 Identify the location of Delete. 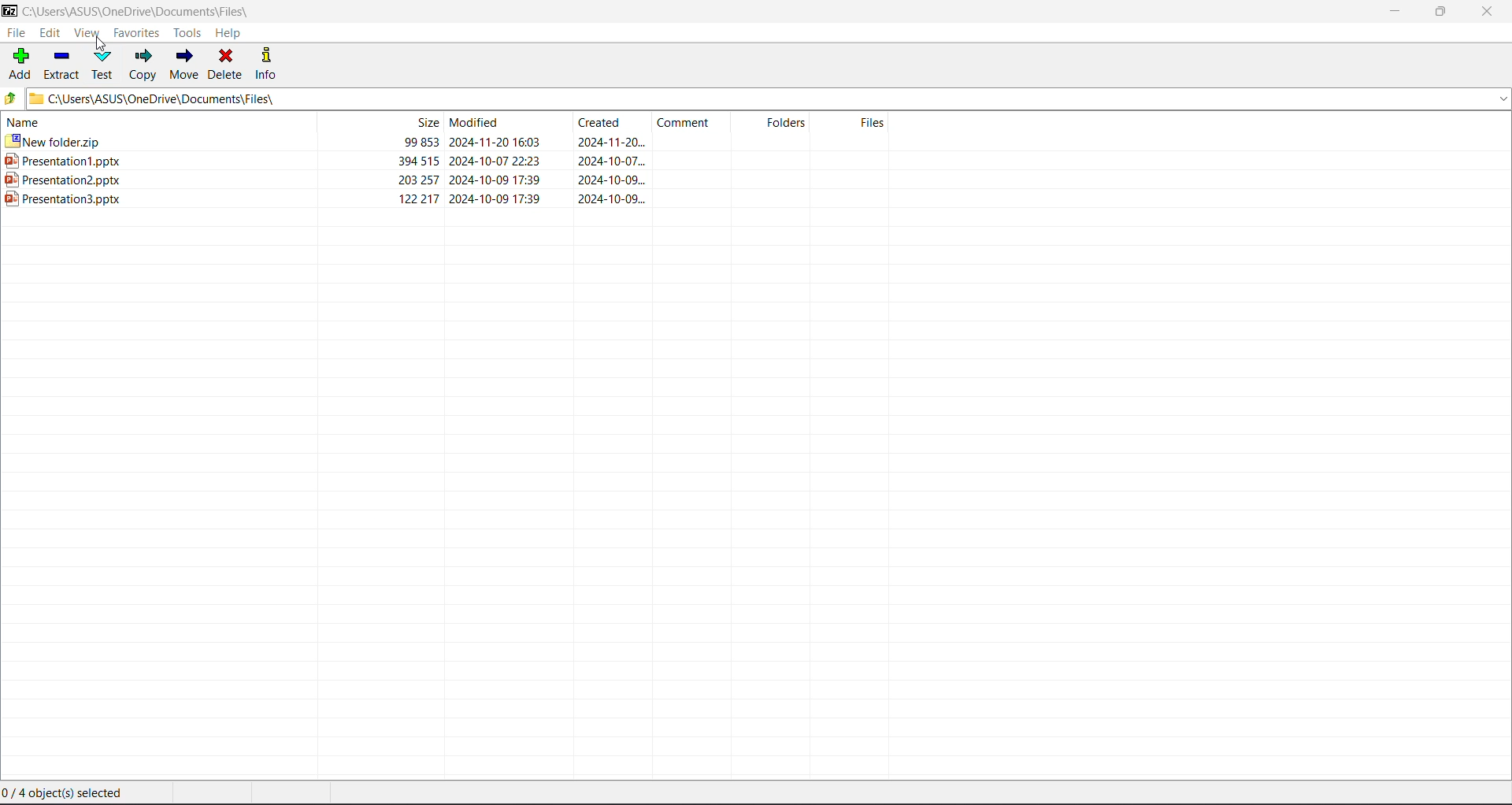
(227, 64).